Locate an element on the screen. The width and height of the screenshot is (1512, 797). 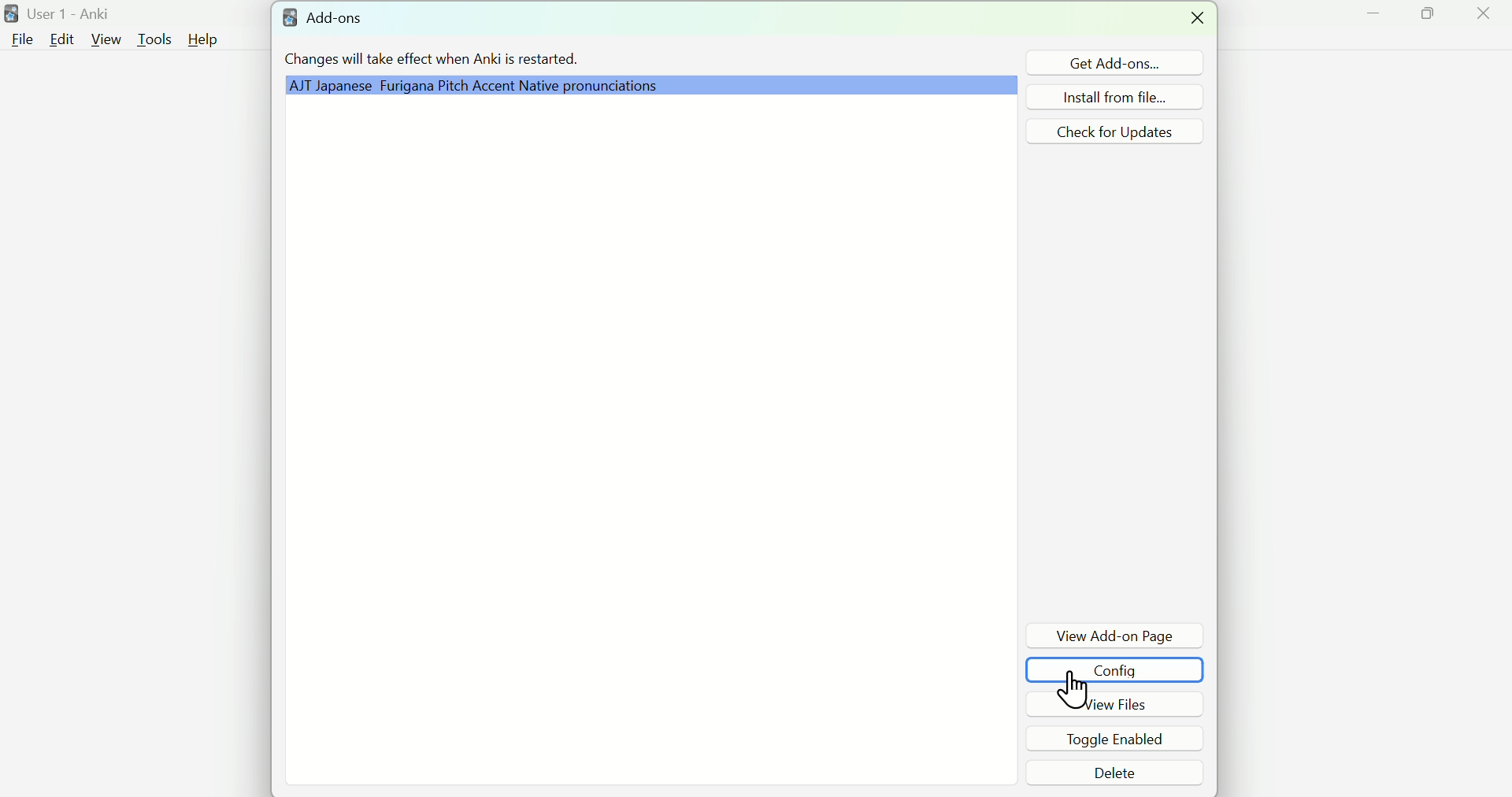
Minimize is located at coordinates (1380, 21).